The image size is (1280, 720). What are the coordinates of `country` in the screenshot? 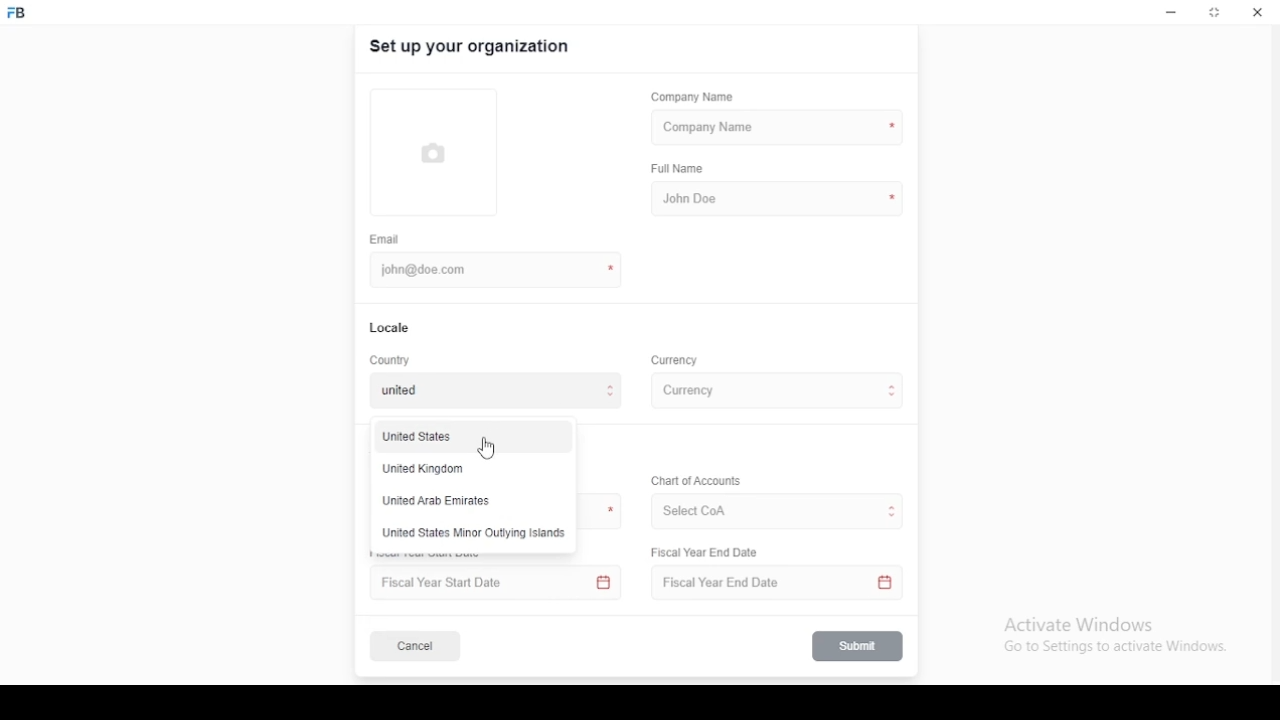 It's located at (392, 361).